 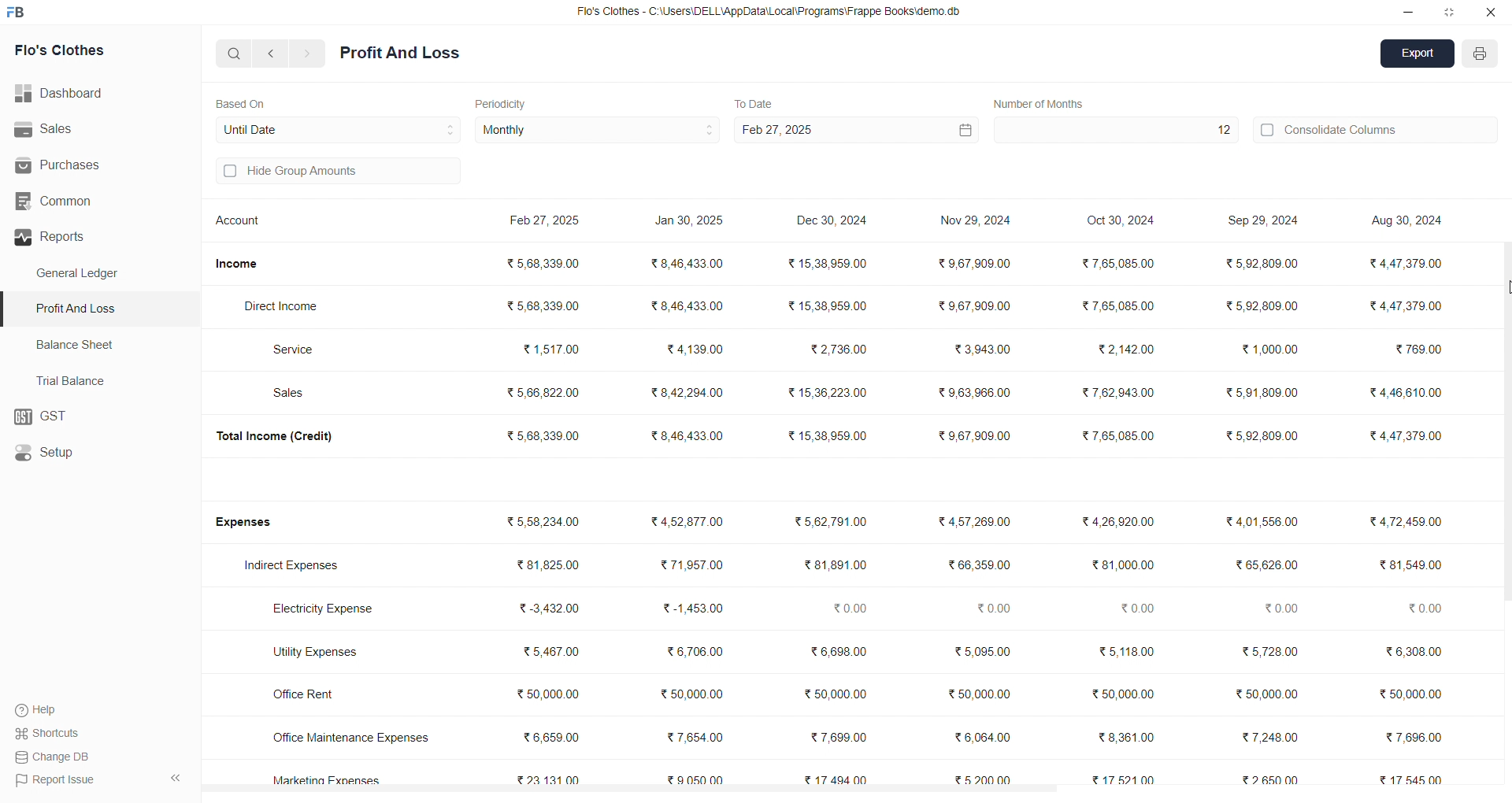 What do you see at coordinates (43, 709) in the screenshot?
I see `Help` at bounding box center [43, 709].